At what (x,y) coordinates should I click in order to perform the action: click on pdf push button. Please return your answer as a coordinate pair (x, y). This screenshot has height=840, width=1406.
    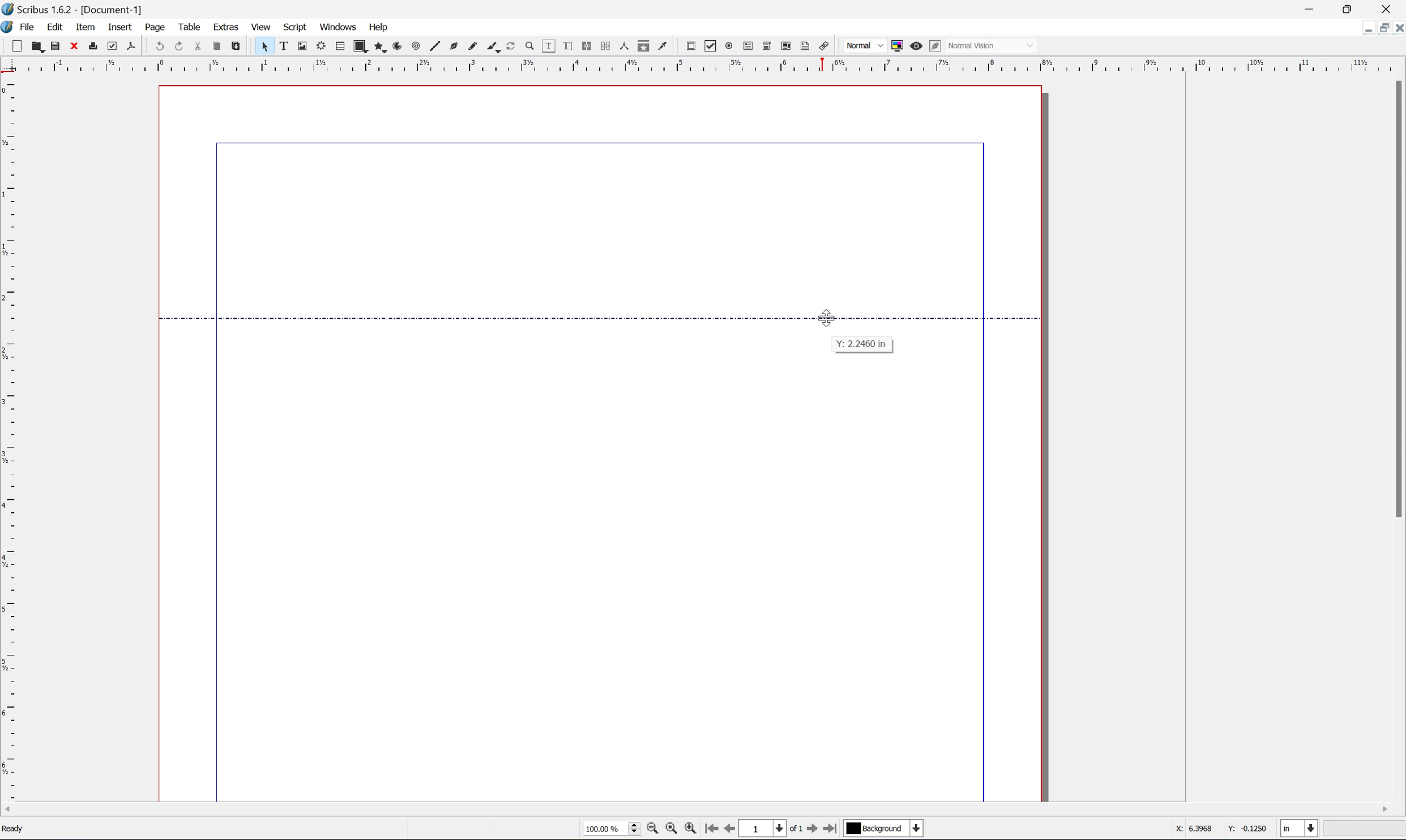
    Looking at the image, I should click on (691, 46).